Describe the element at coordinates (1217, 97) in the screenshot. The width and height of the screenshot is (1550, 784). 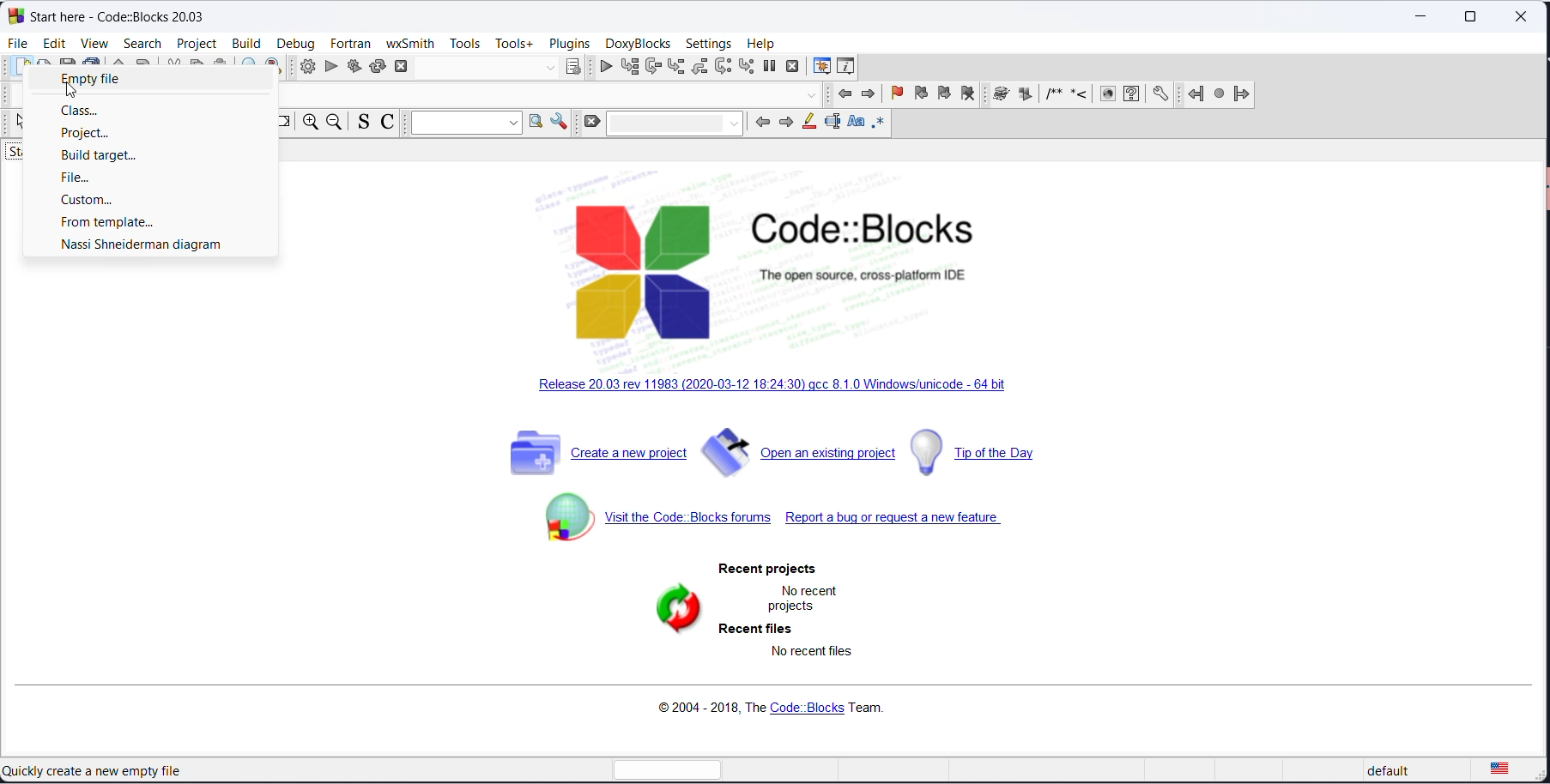
I see `last jump` at that location.